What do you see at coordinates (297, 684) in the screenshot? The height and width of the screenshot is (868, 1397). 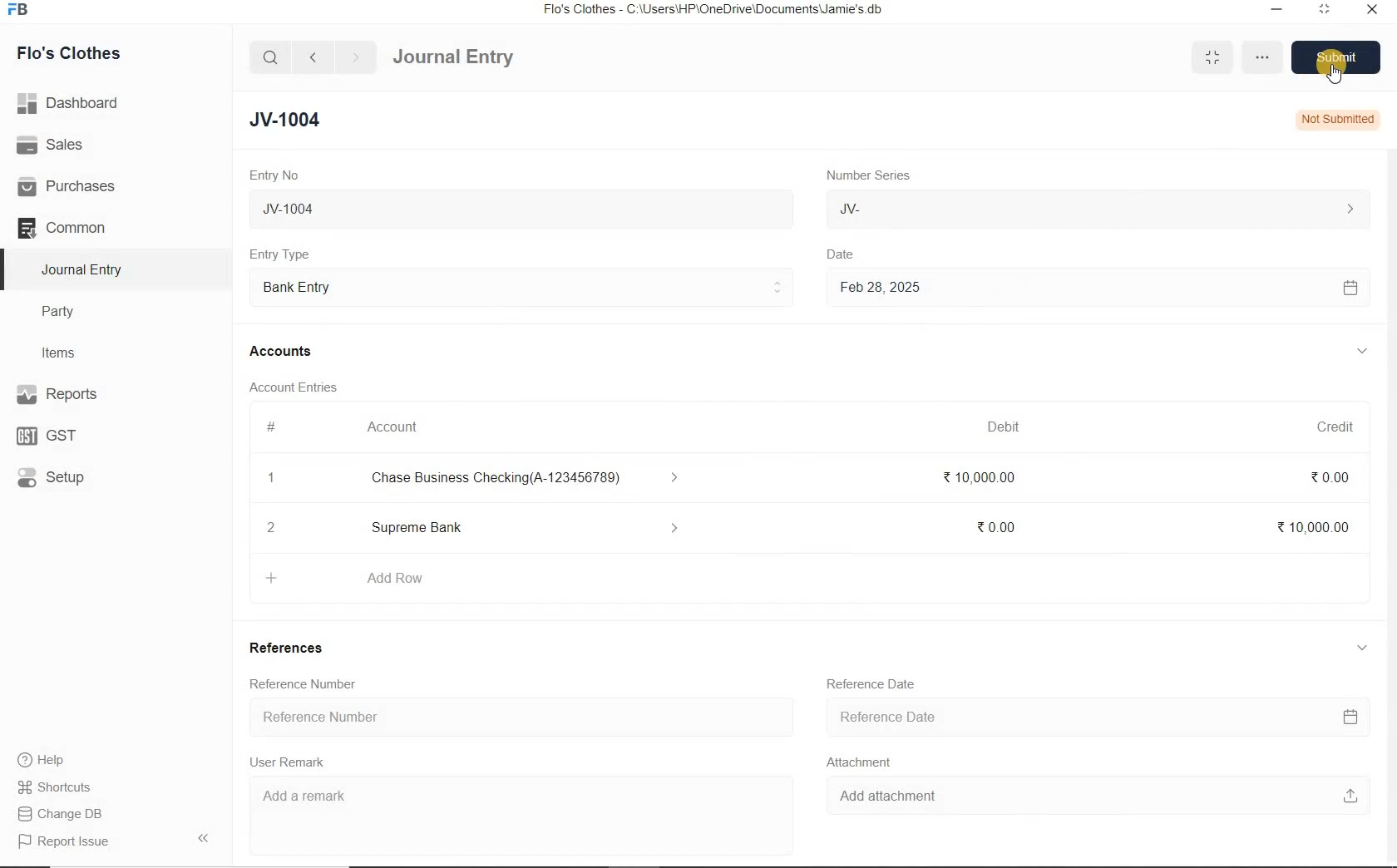 I see `Reference Number` at bounding box center [297, 684].